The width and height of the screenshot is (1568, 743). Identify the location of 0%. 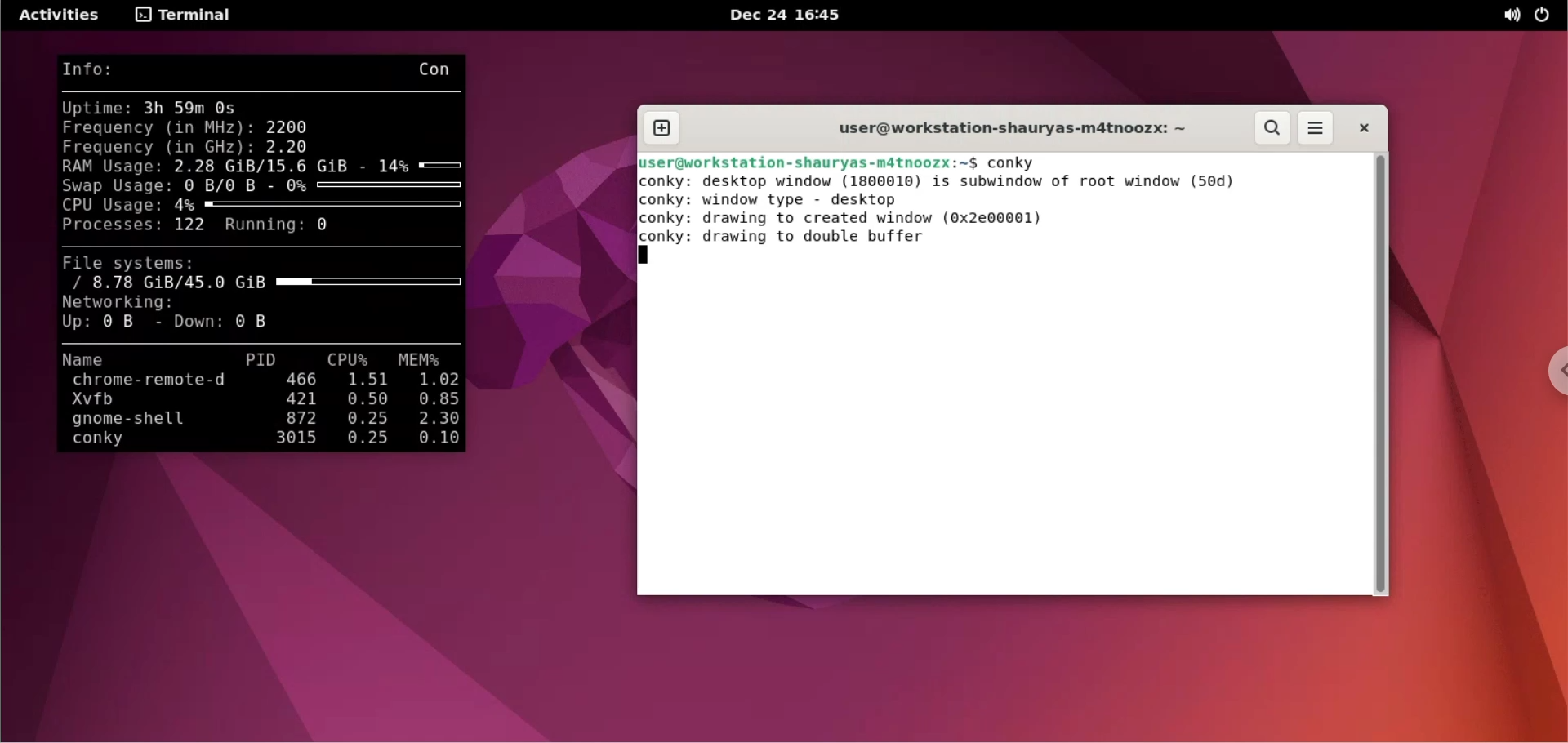
(374, 185).